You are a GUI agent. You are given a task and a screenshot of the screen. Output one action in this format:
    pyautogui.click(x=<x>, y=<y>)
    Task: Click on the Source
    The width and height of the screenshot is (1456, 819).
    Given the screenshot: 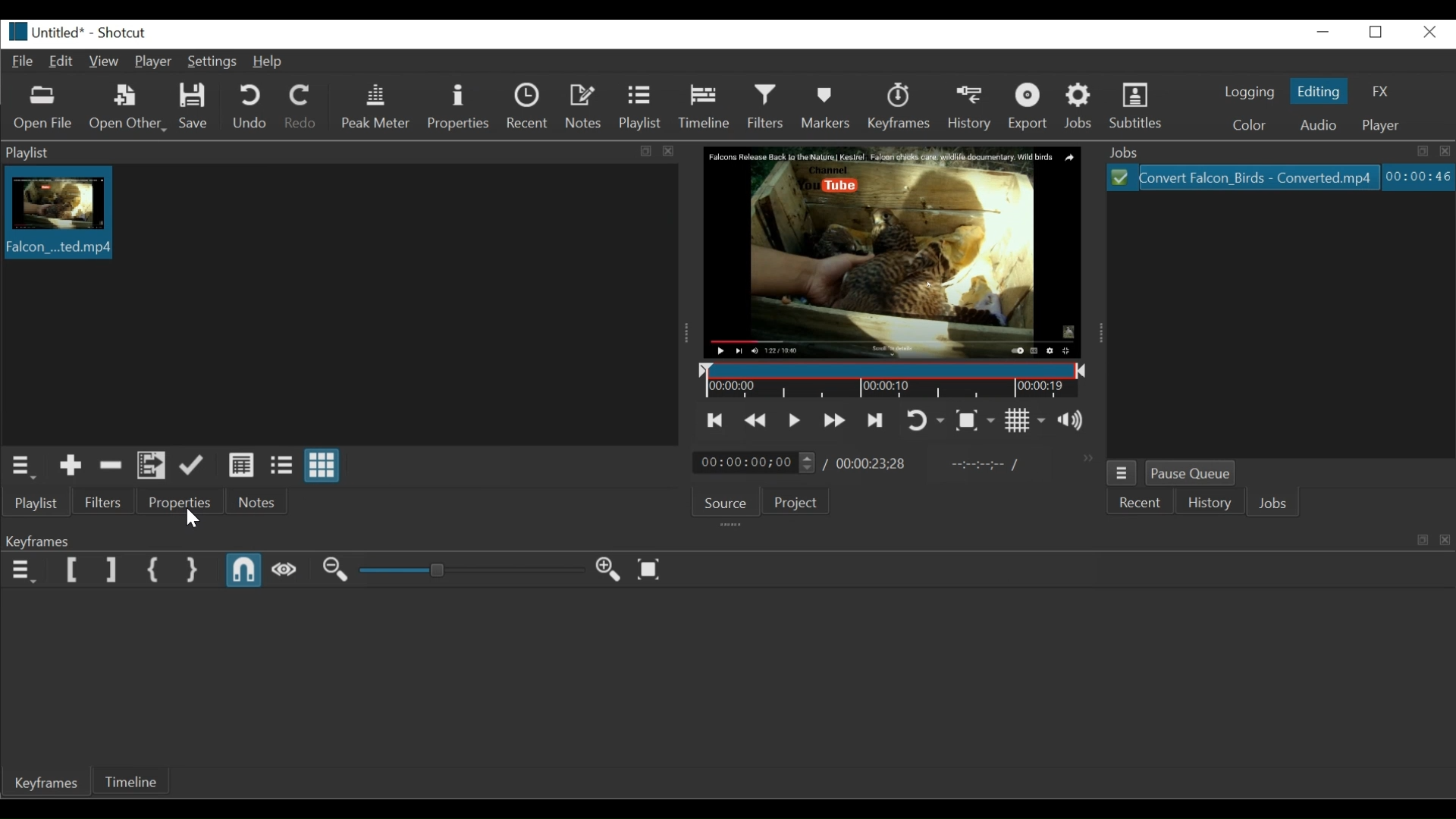 What is the action you would take?
    pyautogui.click(x=726, y=504)
    